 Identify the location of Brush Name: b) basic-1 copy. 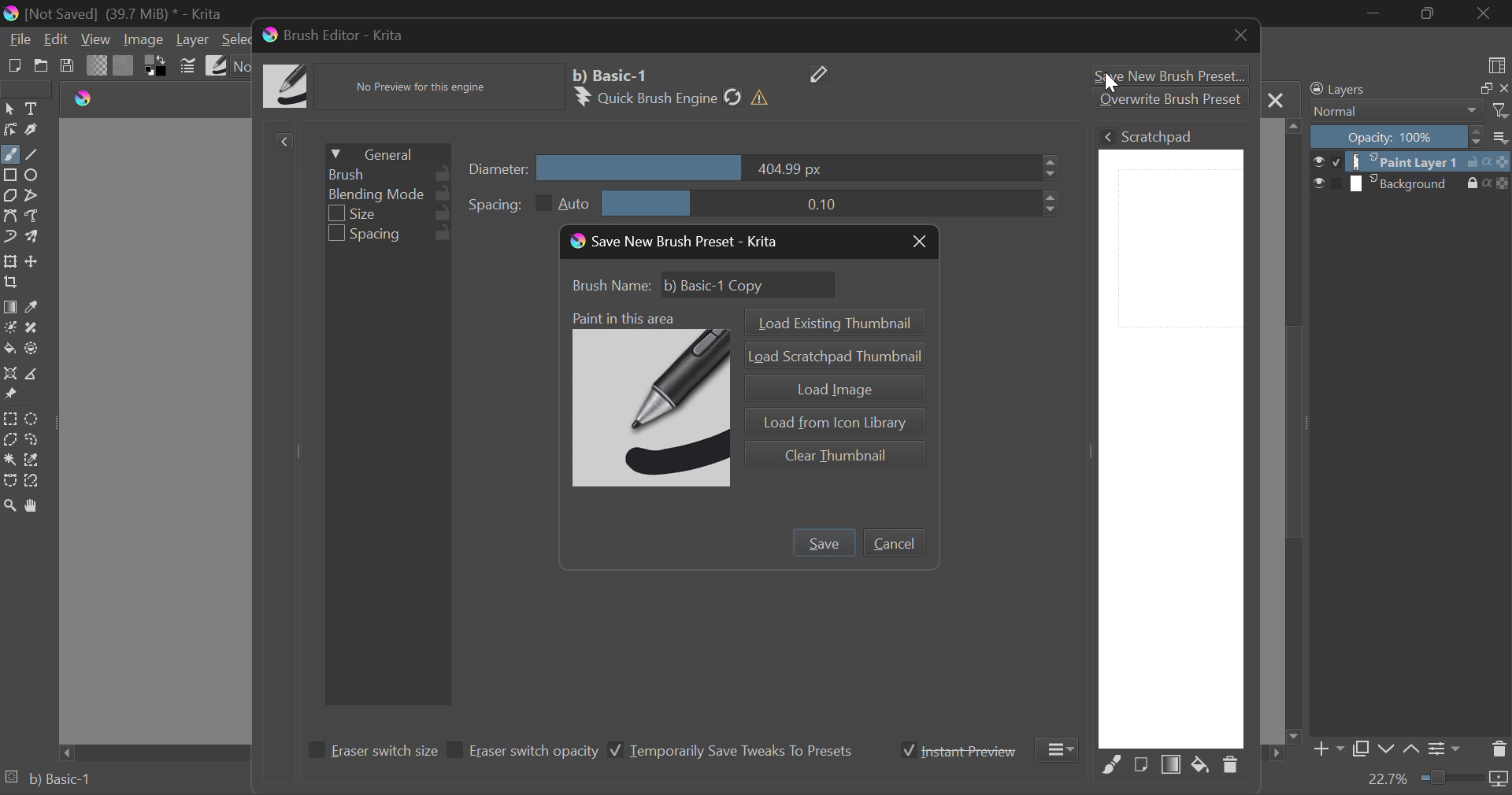
(707, 285).